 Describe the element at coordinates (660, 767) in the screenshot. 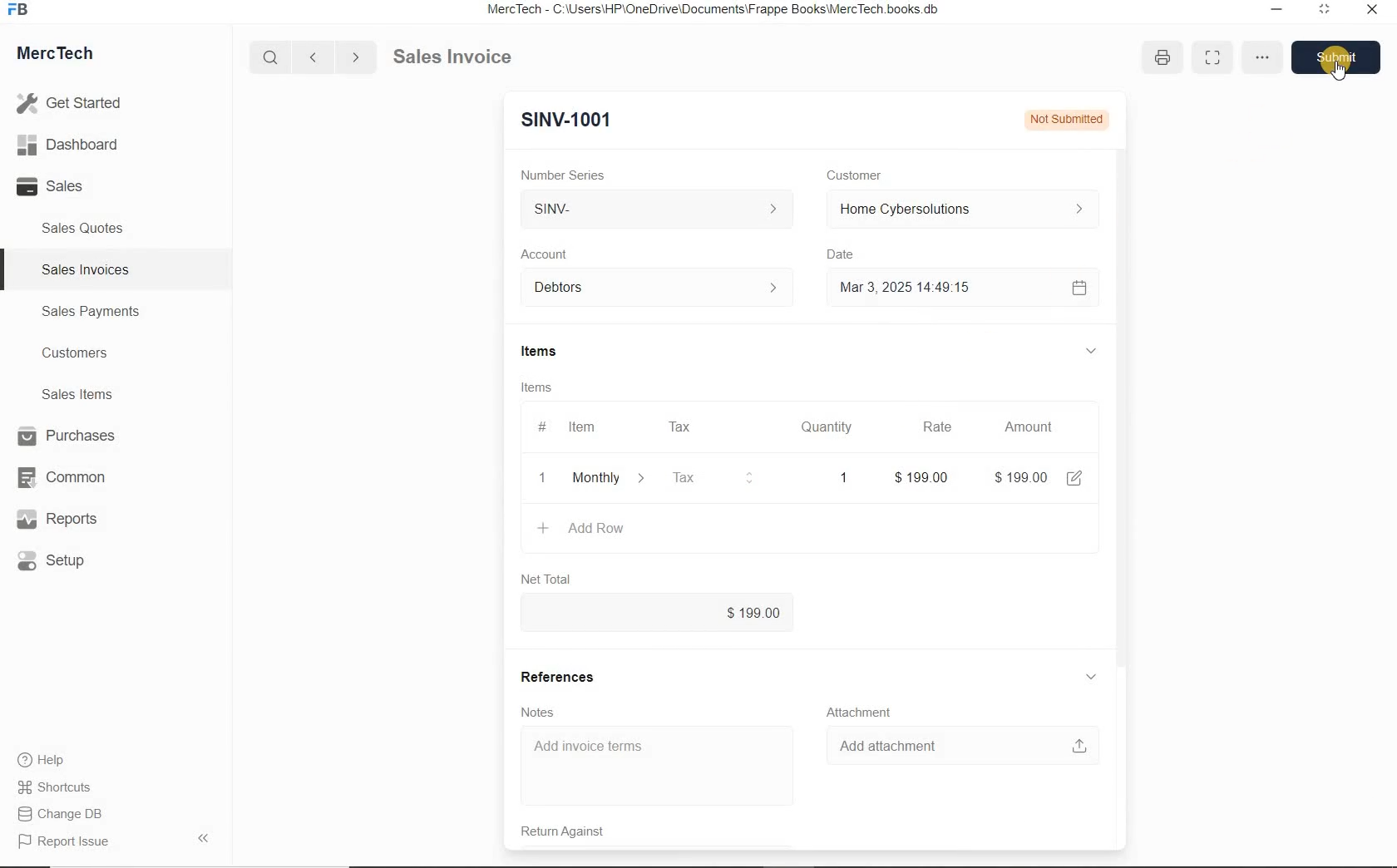

I see `Add invoice terms` at that location.